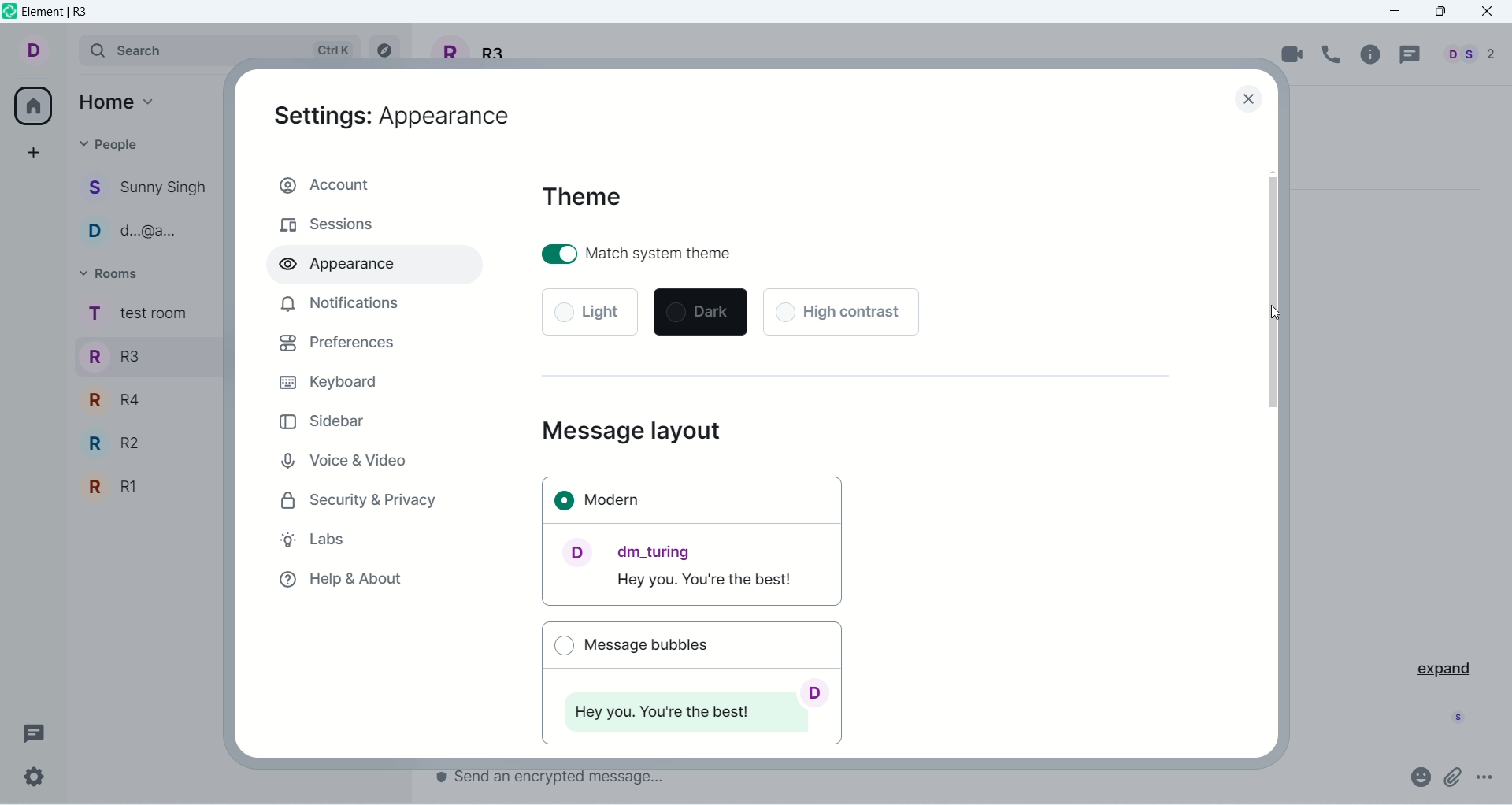  I want to click on minimize, so click(1401, 12).